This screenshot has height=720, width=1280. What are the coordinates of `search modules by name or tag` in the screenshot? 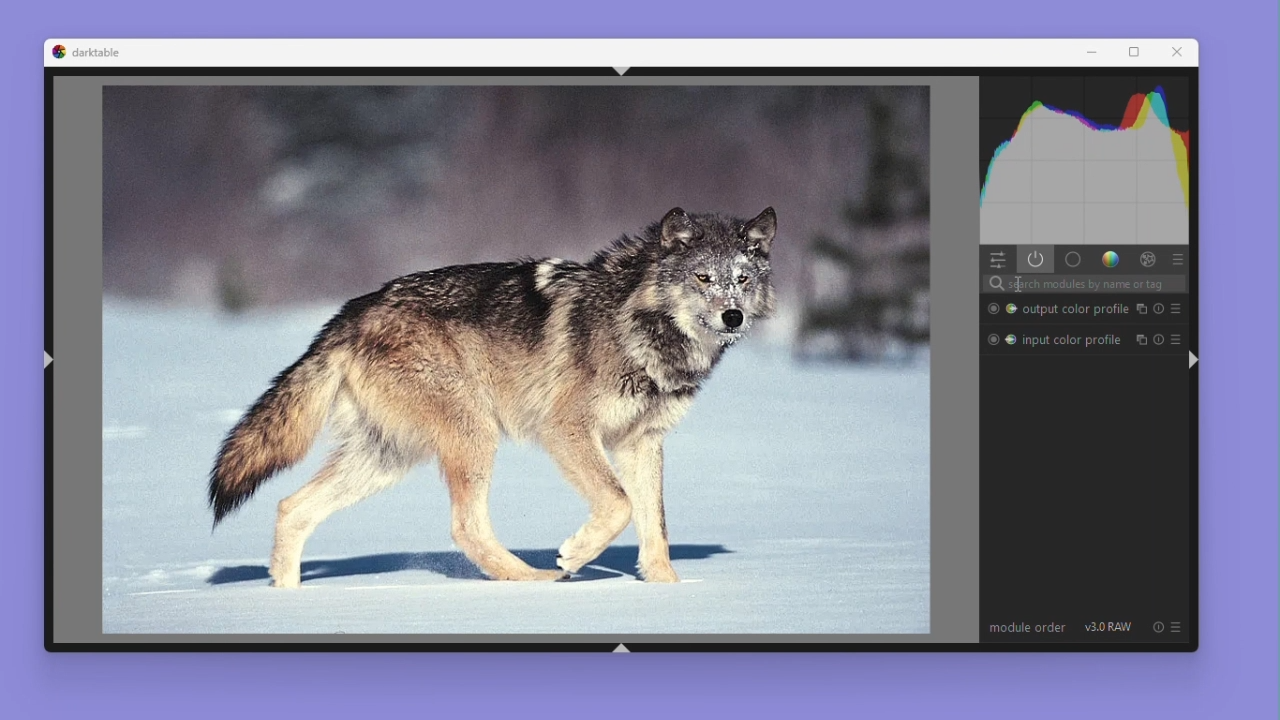 It's located at (1111, 285).